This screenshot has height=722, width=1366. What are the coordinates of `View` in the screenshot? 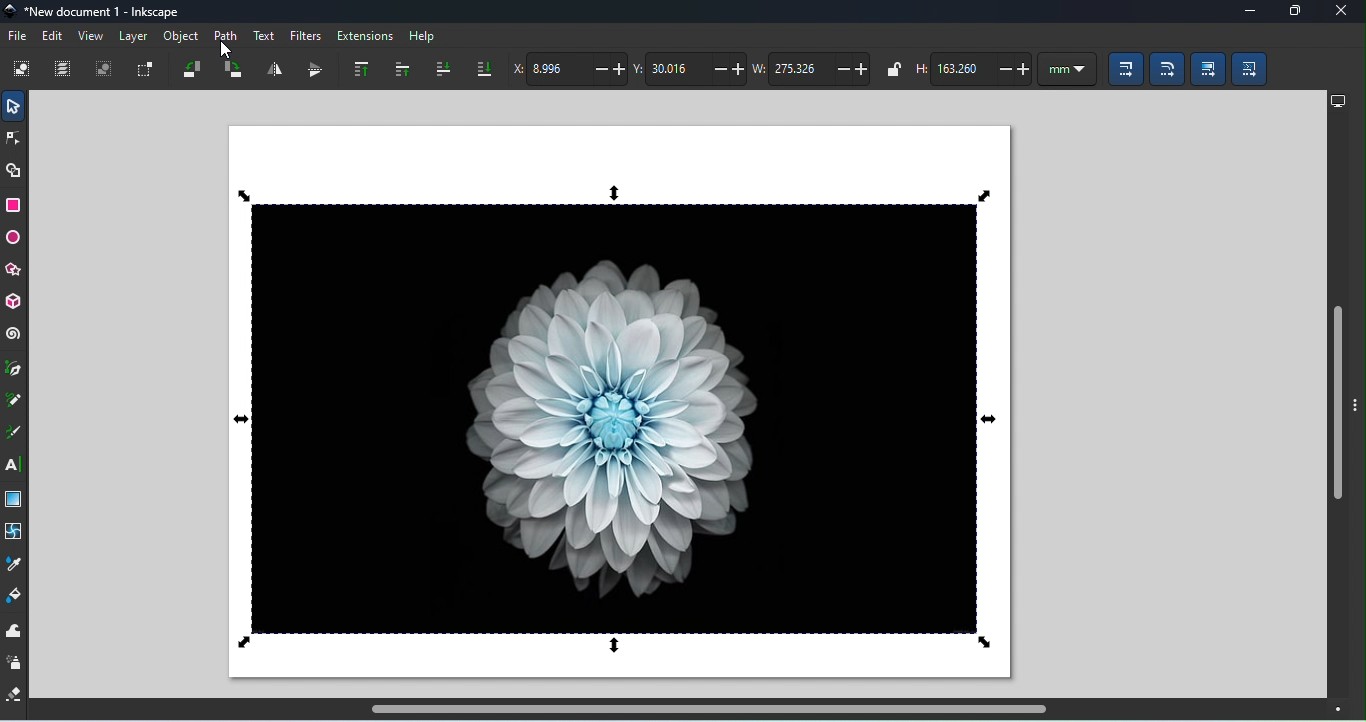 It's located at (91, 39).